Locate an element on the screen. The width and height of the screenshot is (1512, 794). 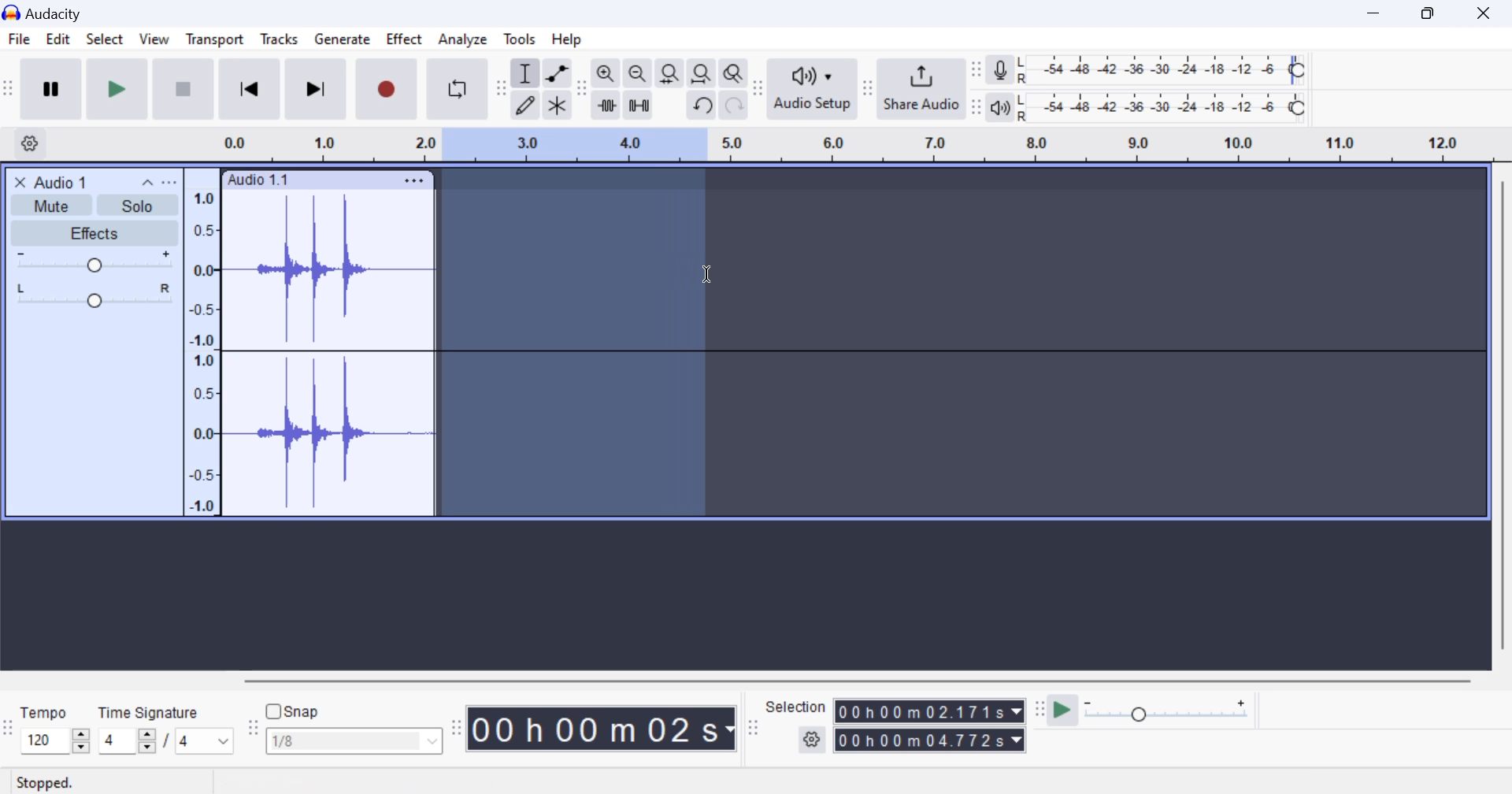
open menu is located at coordinates (169, 182).